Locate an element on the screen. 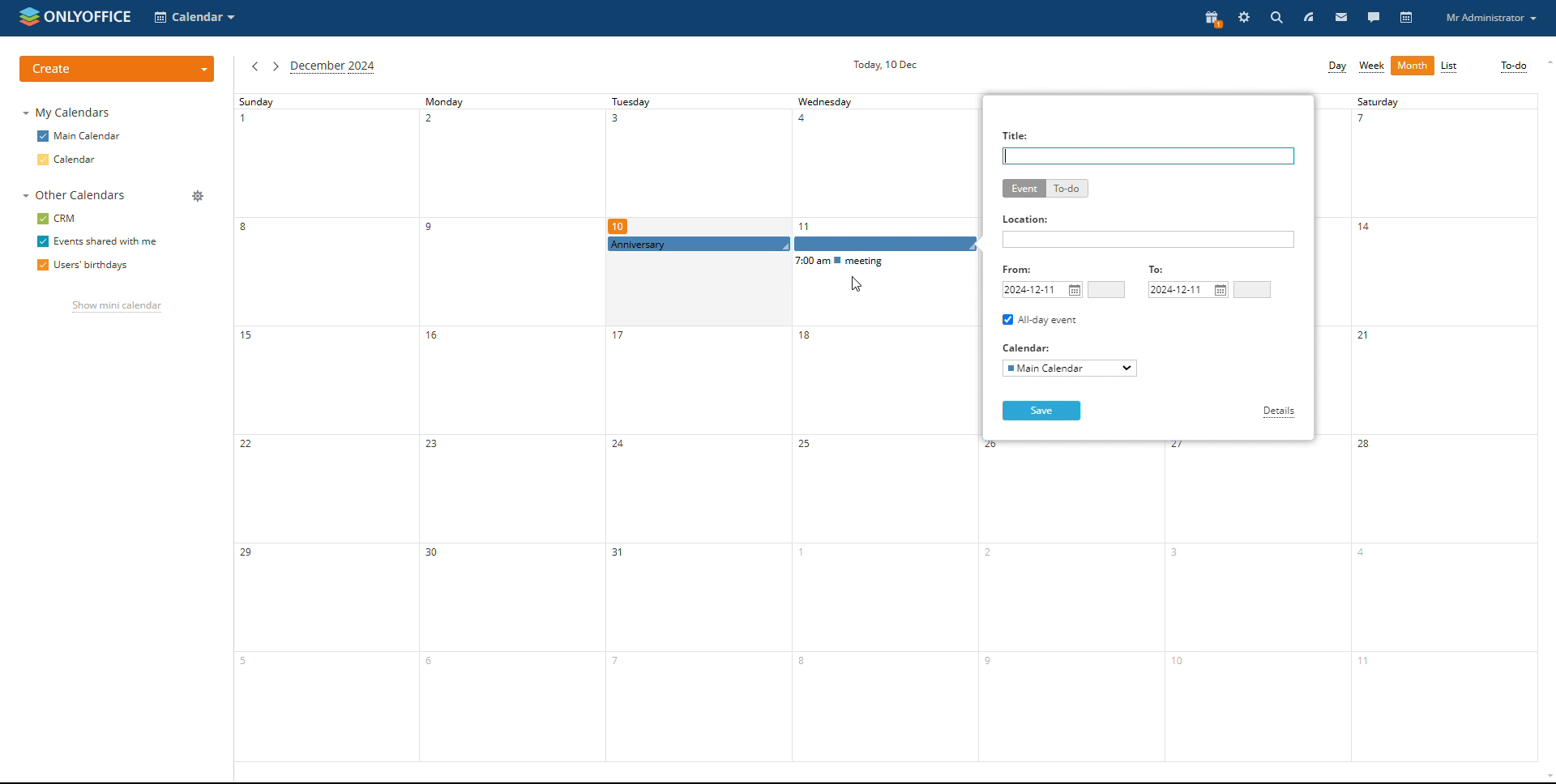 Image resolution: width=1556 pixels, height=784 pixels. add location is located at coordinates (1148, 239).